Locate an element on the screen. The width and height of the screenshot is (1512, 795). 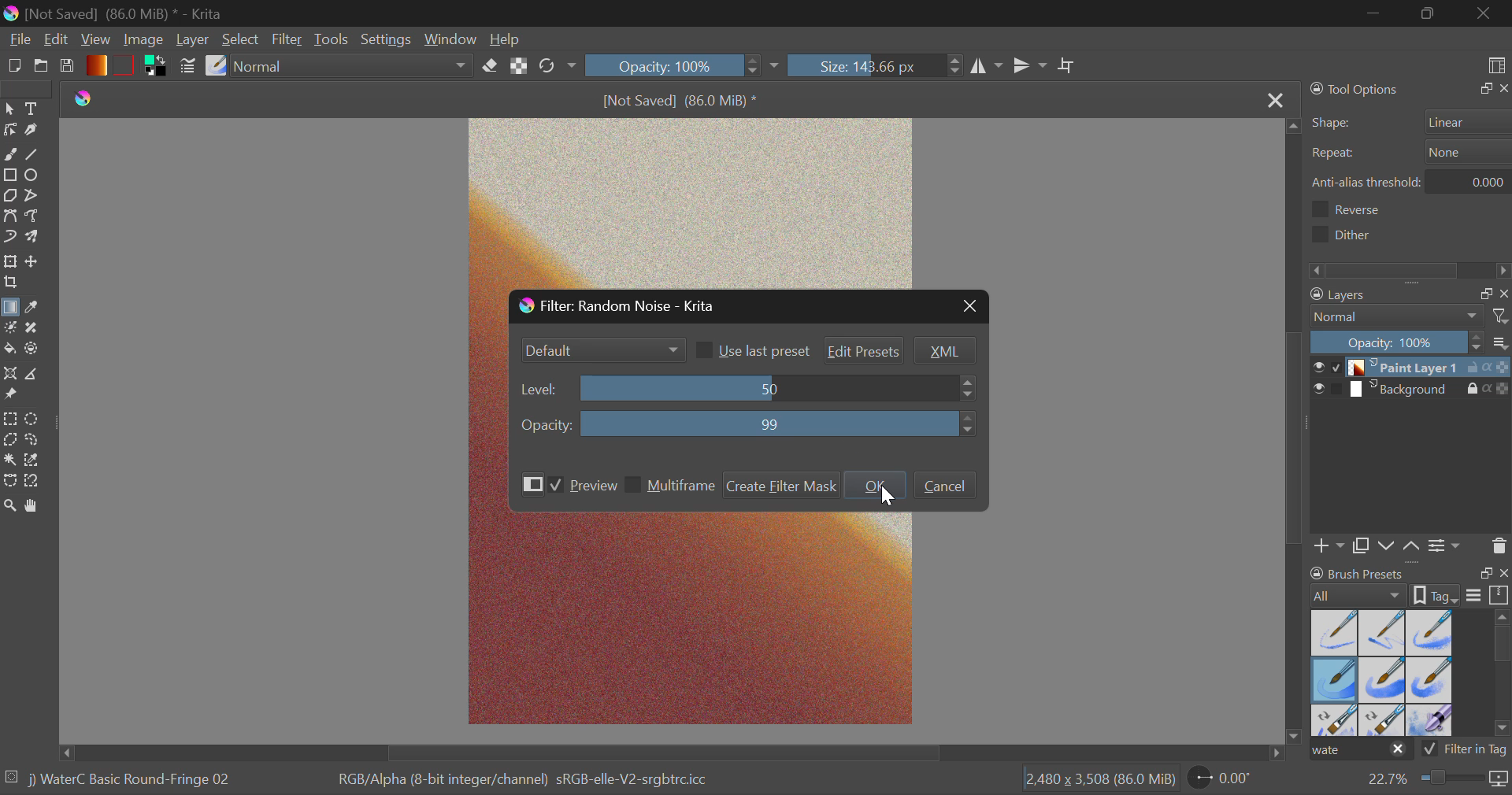
Cancel is located at coordinates (947, 486).